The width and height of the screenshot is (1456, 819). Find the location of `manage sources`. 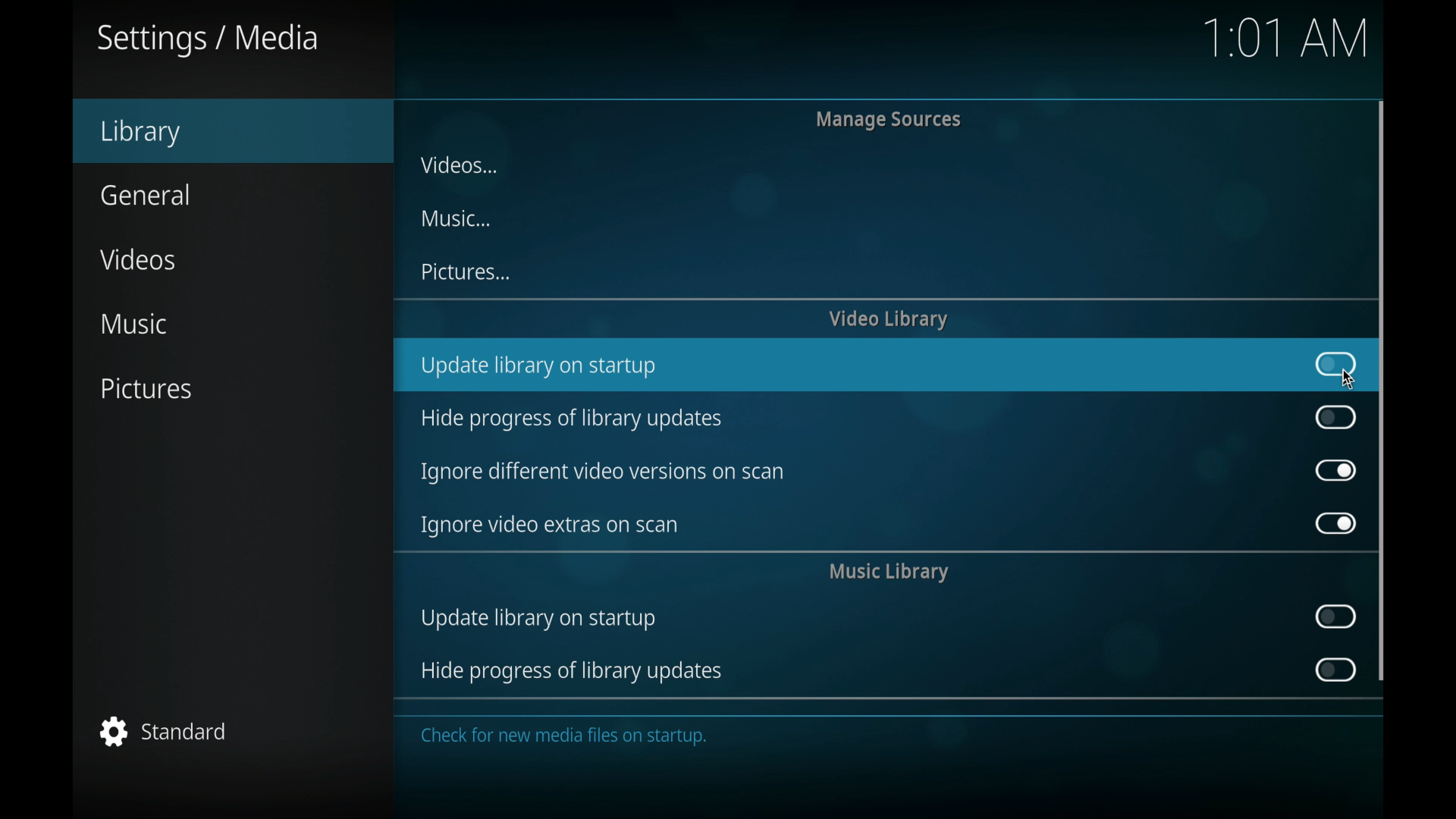

manage sources is located at coordinates (889, 119).